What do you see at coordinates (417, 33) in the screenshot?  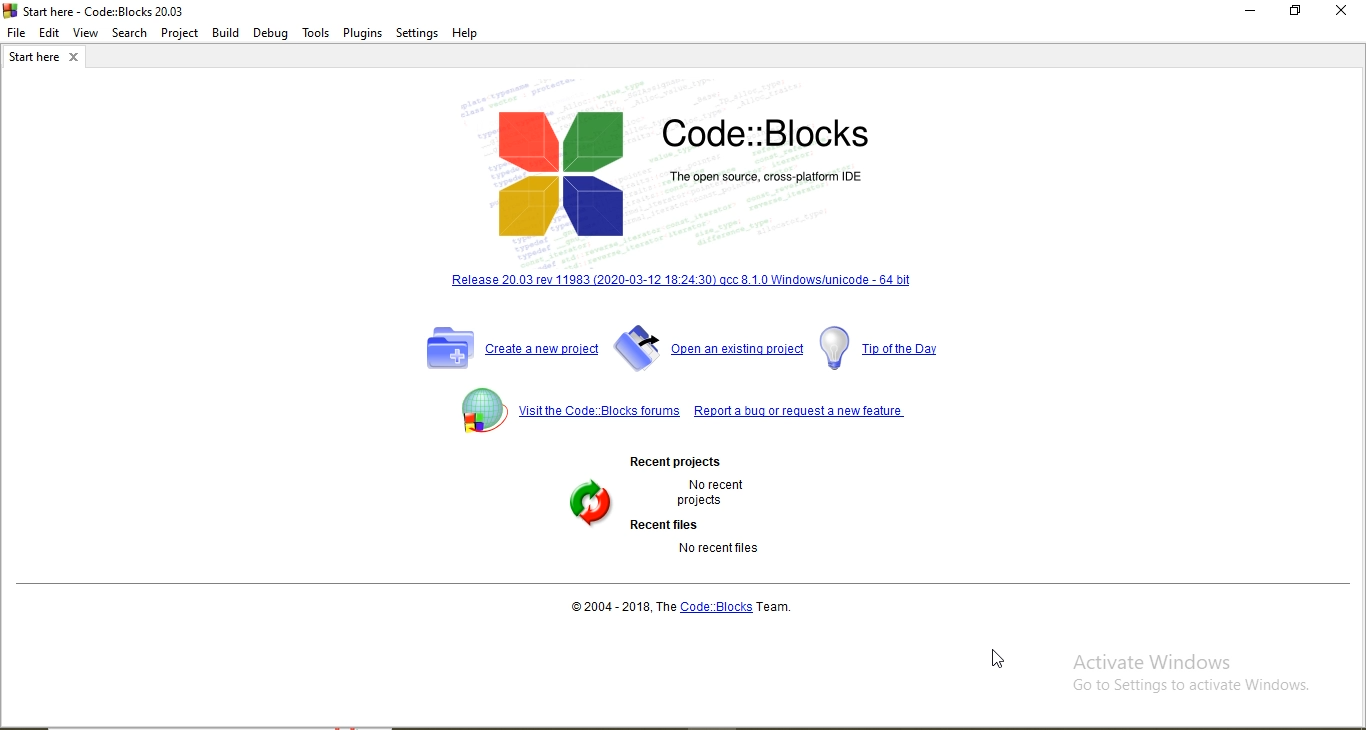 I see `Settings ` at bounding box center [417, 33].